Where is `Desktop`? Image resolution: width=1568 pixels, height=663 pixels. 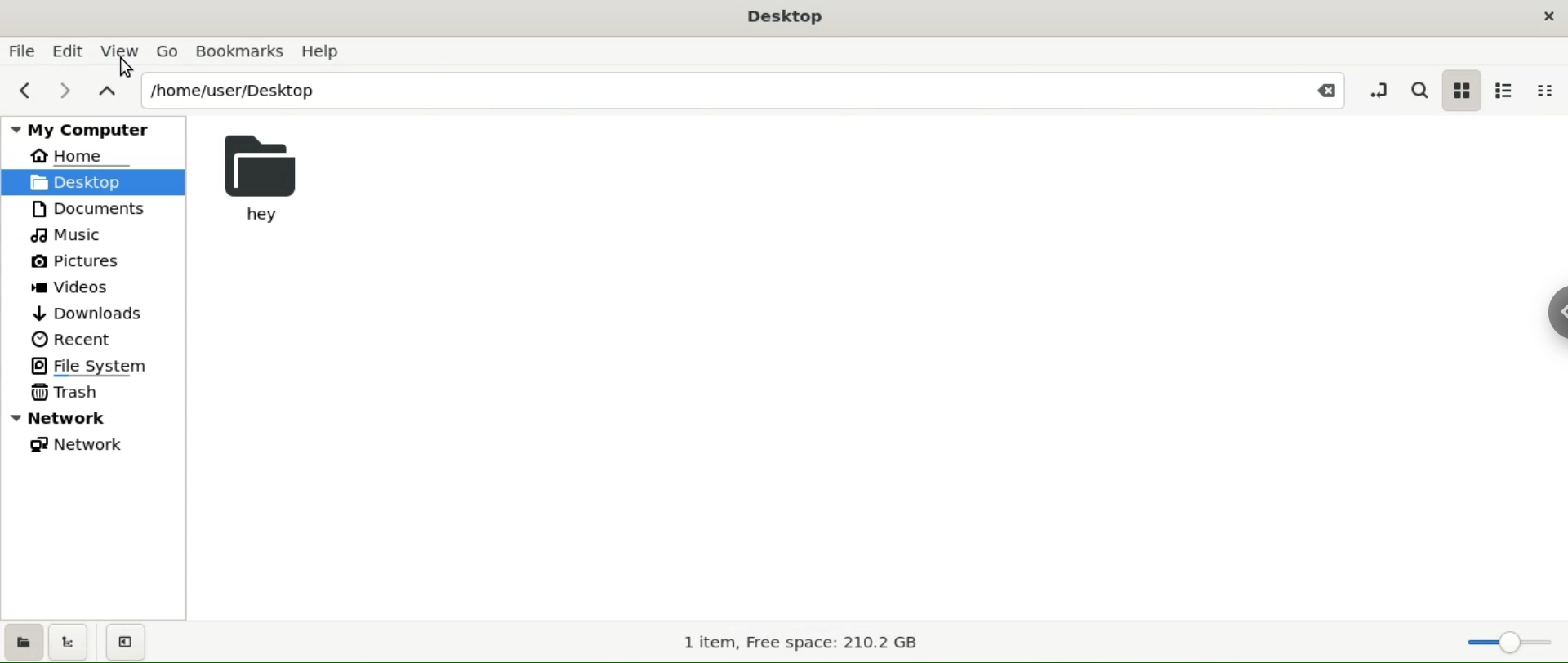
Desktop is located at coordinates (786, 16).